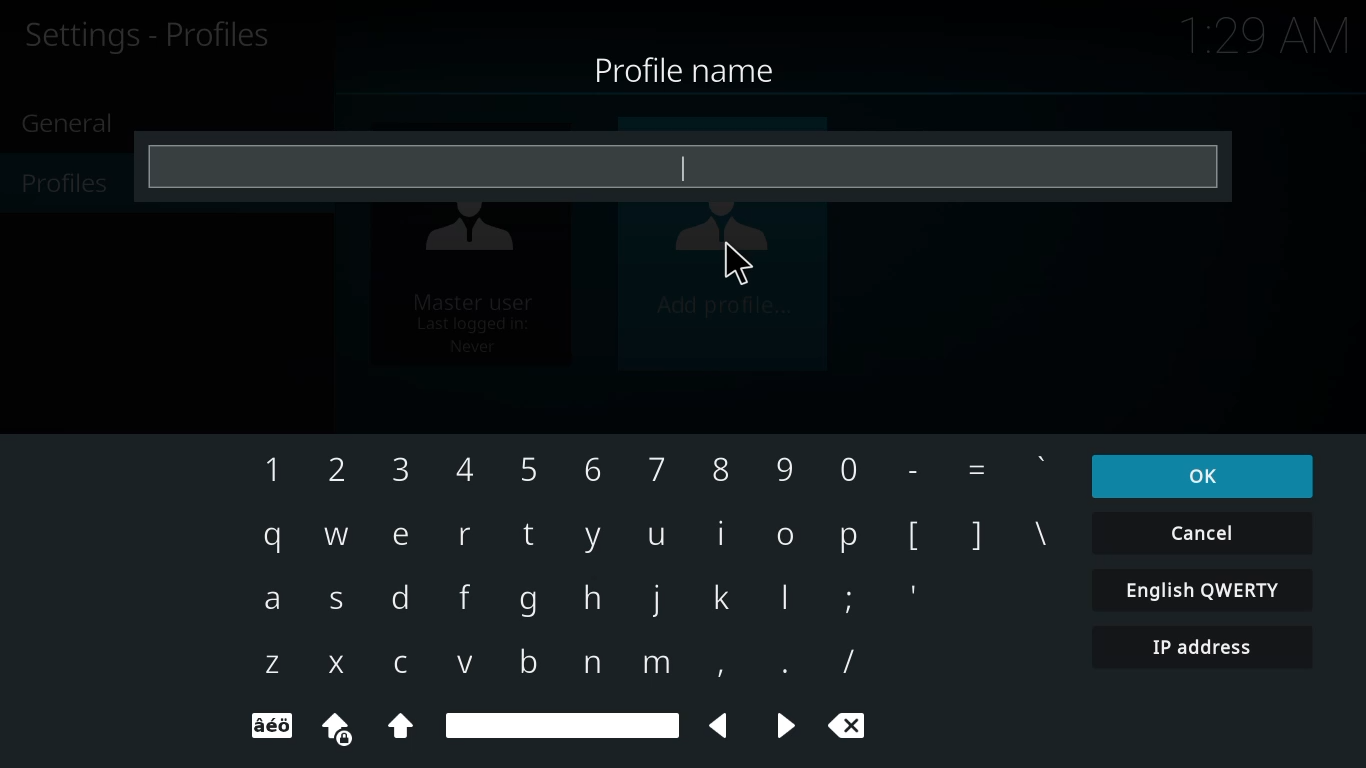 This screenshot has width=1366, height=768. I want to click on \, so click(1052, 536).